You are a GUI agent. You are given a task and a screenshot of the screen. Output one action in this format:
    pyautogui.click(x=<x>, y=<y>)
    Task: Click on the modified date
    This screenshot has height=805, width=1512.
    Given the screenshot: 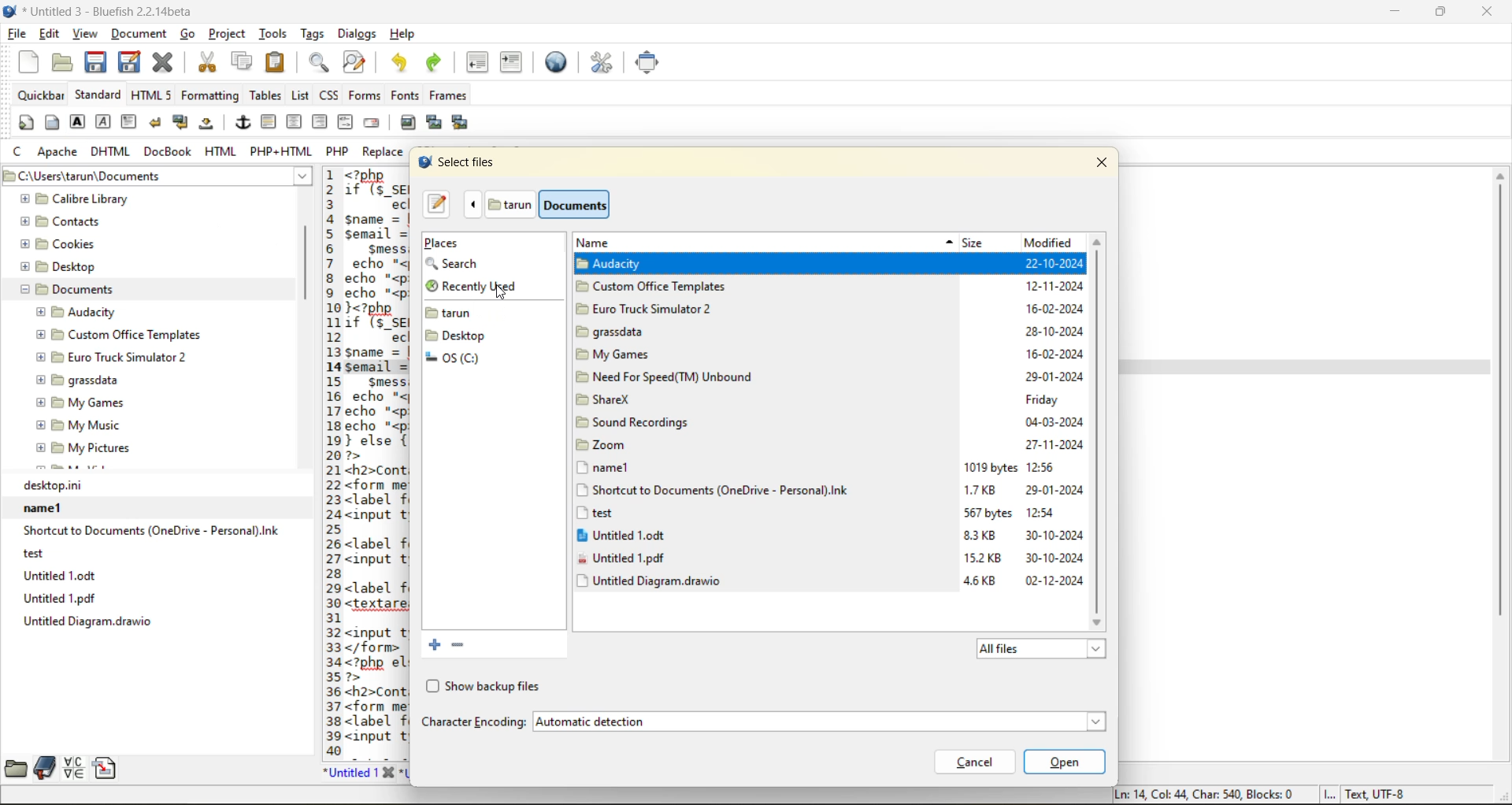 What is the action you would take?
    pyautogui.click(x=1058, y=421)
    